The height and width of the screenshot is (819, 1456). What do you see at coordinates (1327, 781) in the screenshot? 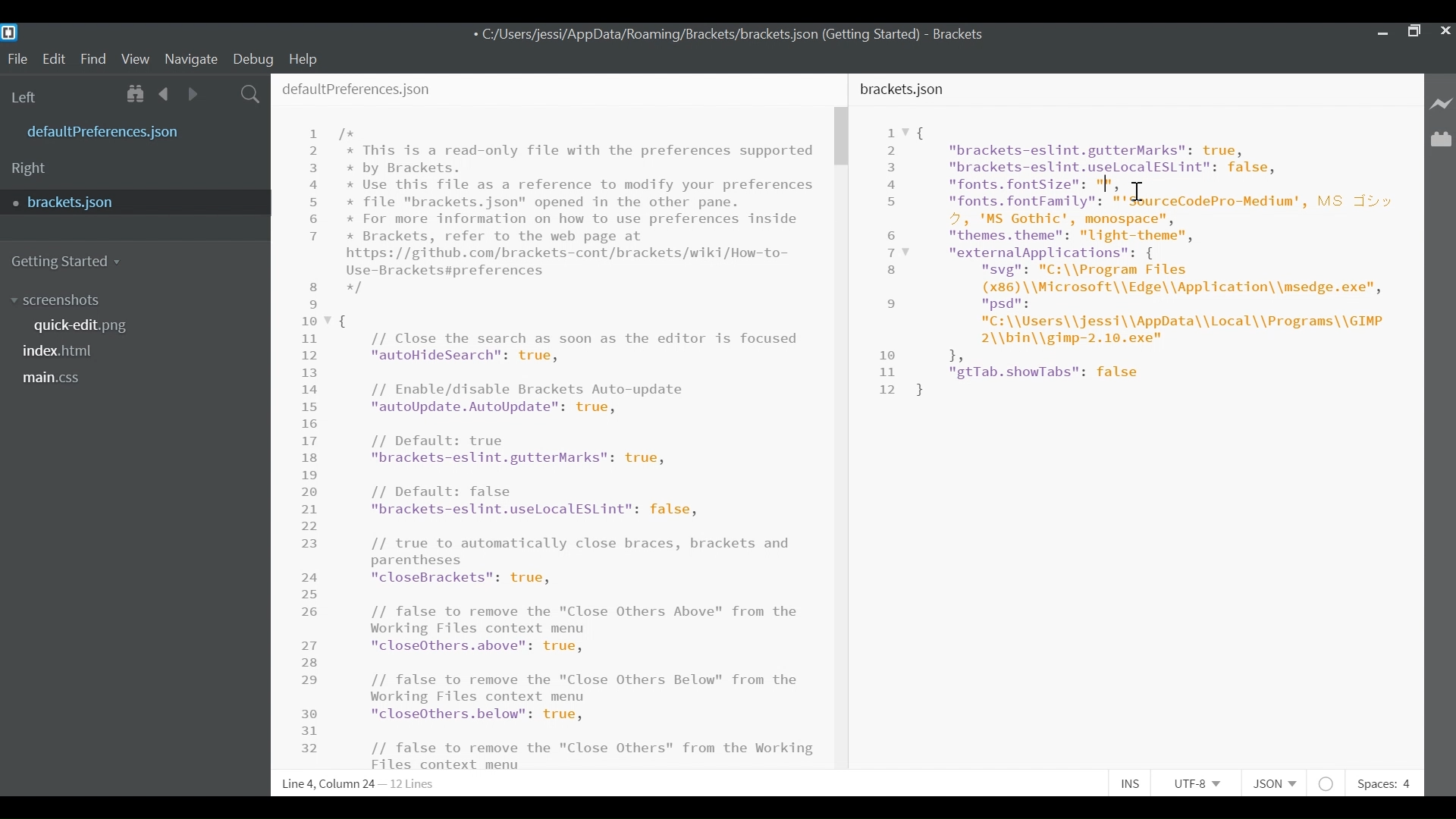
I see `No lintel available for JSON ` at bounding box center [1327, 781].